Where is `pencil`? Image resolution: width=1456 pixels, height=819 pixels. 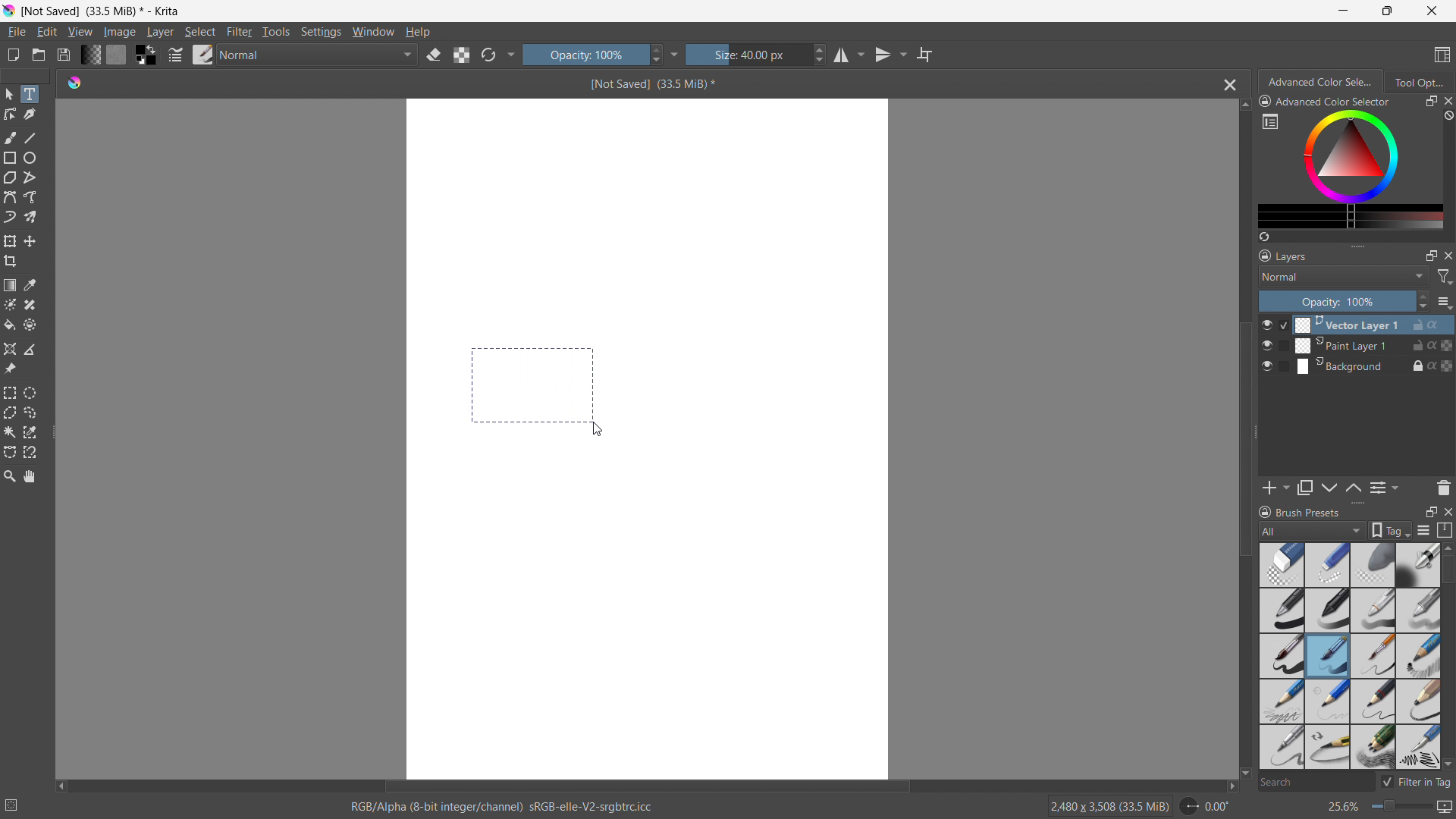
pencil is located at coordinates (1281, 701).